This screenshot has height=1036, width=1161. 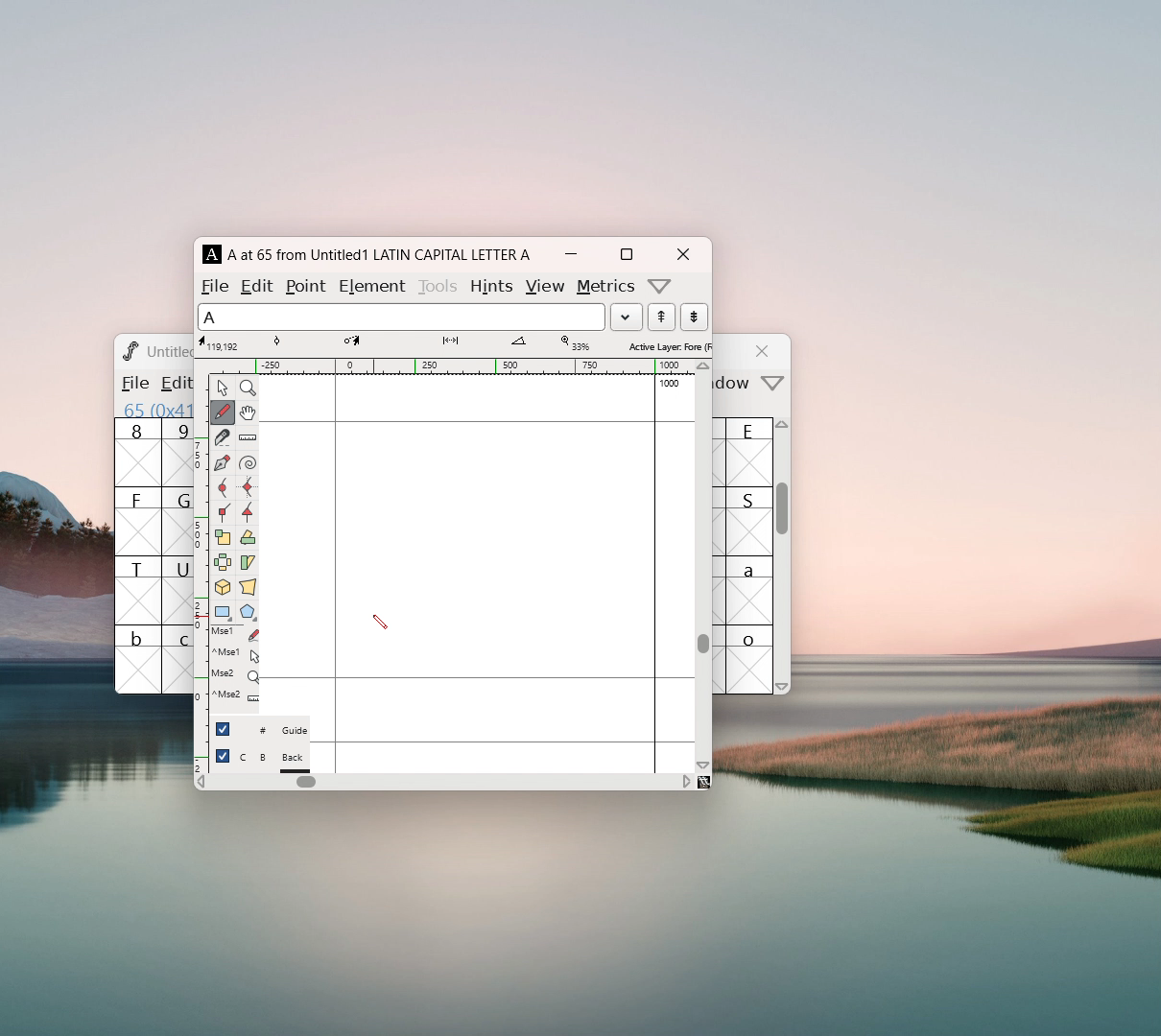 I want to click on horizontal ruler, so click(x=452, y=366).